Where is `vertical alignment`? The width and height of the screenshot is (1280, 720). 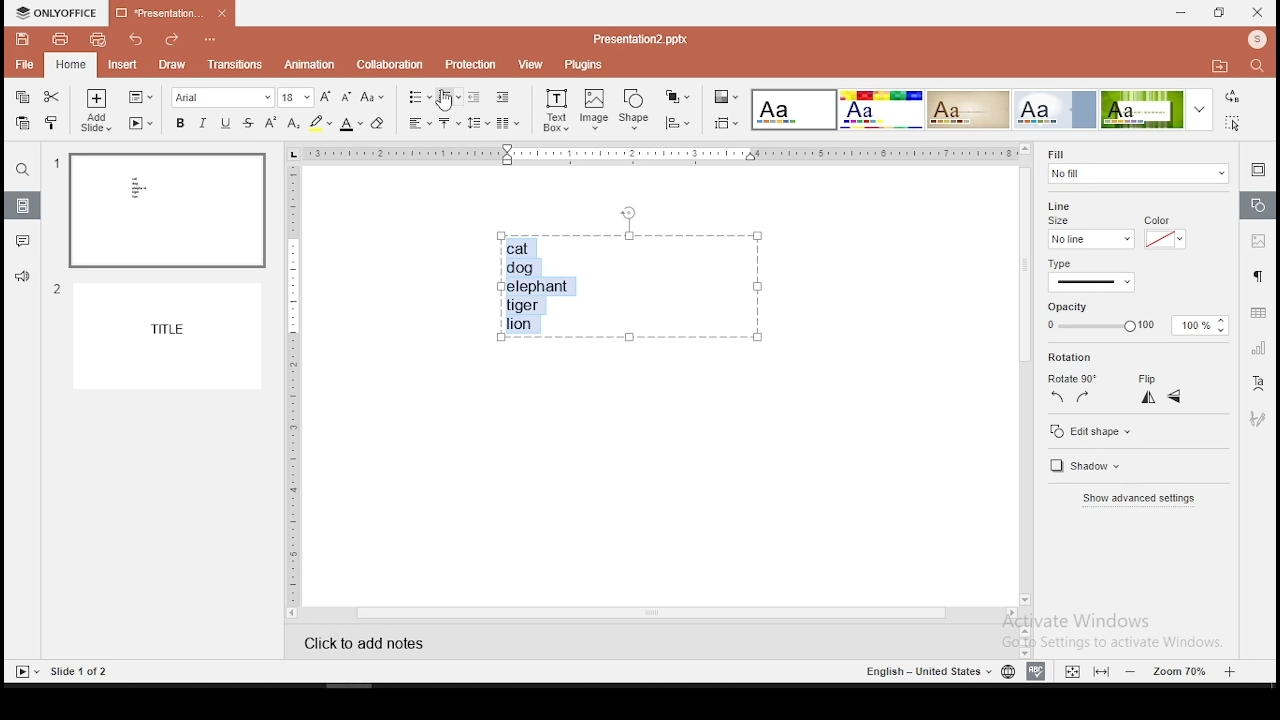 vertical alignment is located at coordinates (449, 122).